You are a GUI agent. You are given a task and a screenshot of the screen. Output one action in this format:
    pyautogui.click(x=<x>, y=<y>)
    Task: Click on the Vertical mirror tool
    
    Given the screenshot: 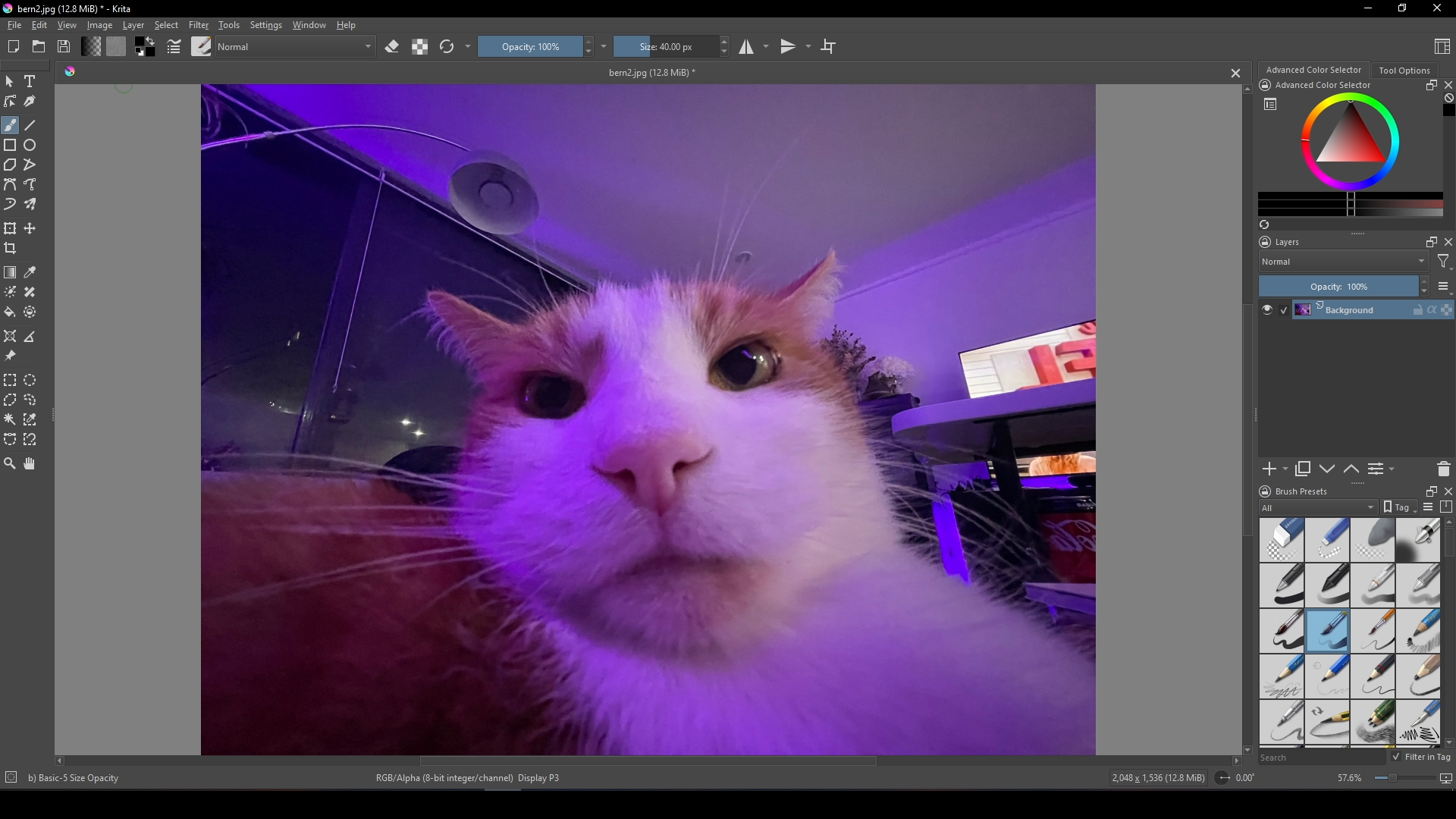 What is the action you would take?
    pyautogui.click(x=797, y=47)
    